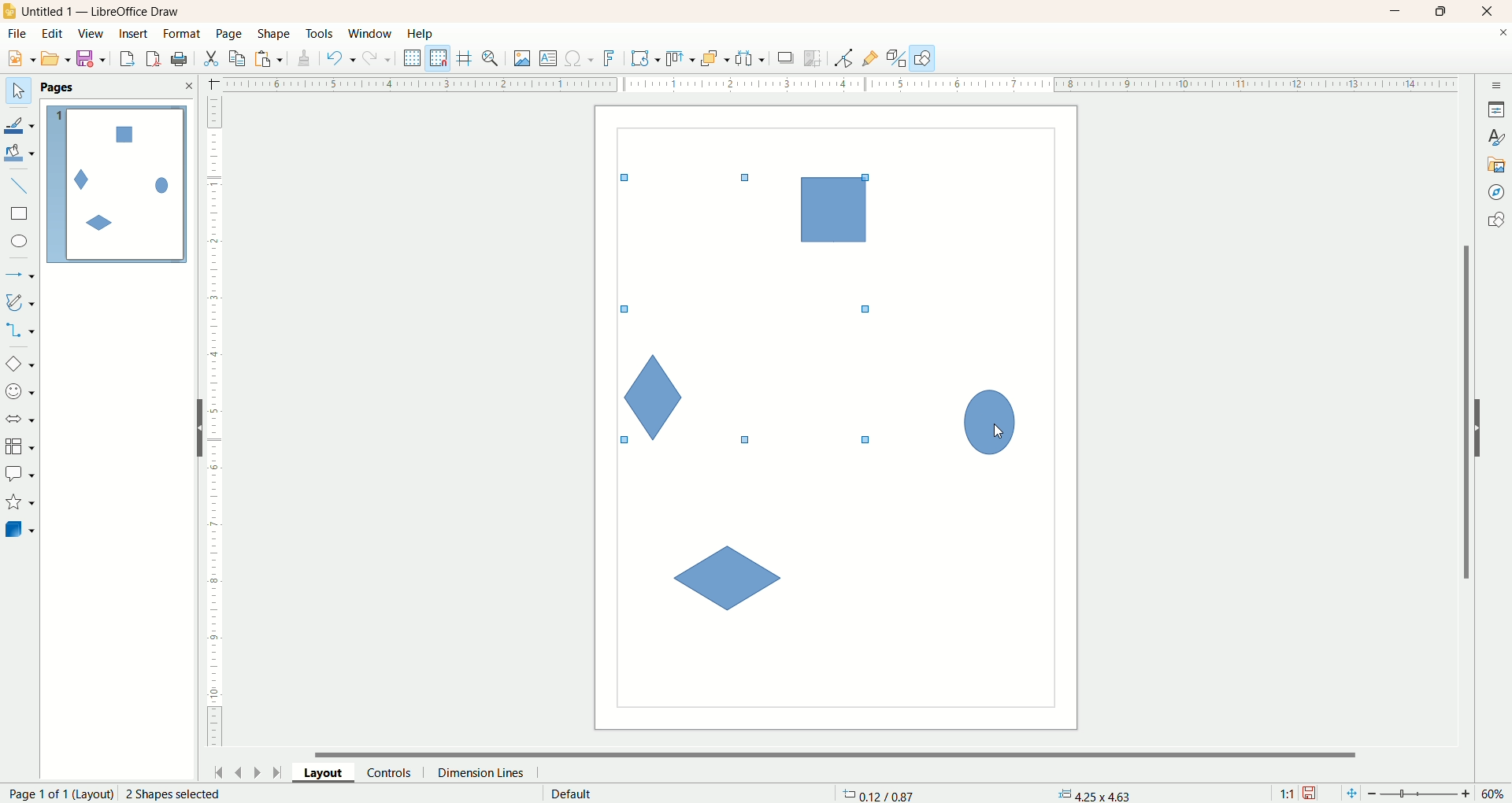 The image size is (1512, 803). I want to click on export, so click(126, 56).